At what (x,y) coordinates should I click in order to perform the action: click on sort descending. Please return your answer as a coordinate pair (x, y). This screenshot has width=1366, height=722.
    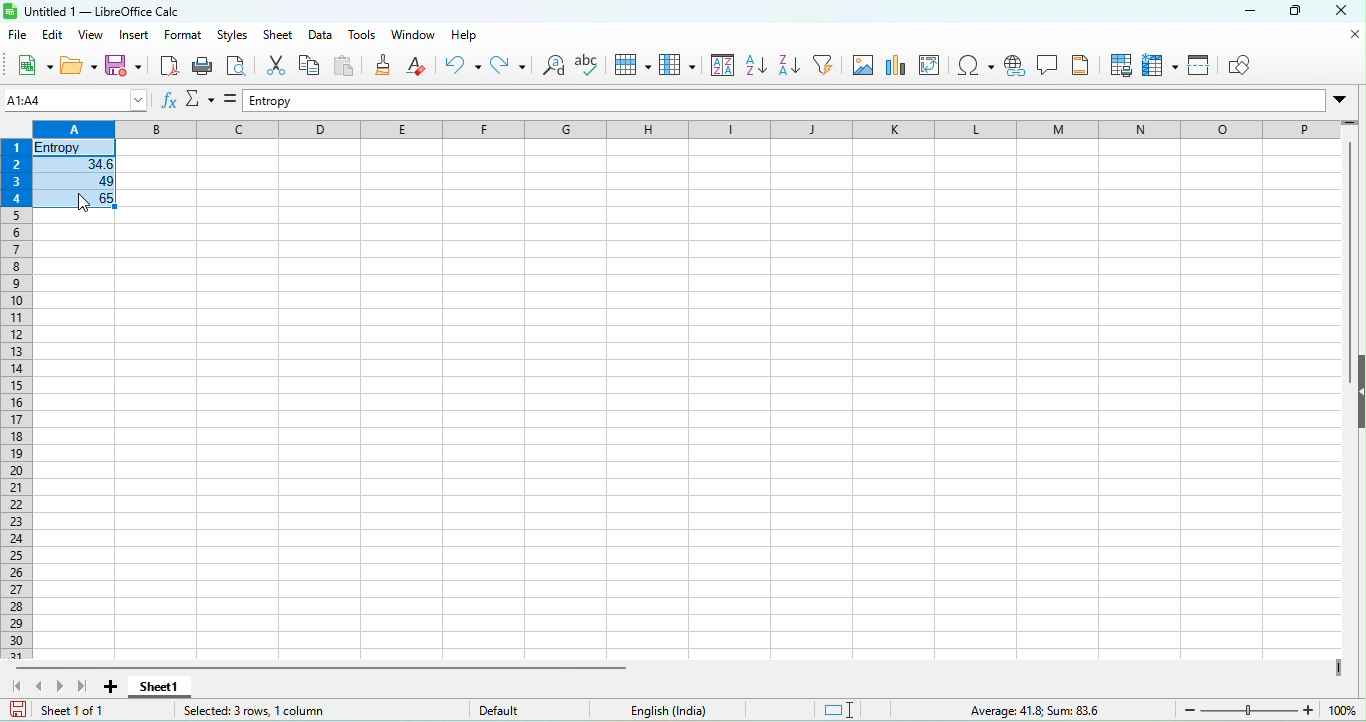
    Looking at the image, I should click on (794, 68).